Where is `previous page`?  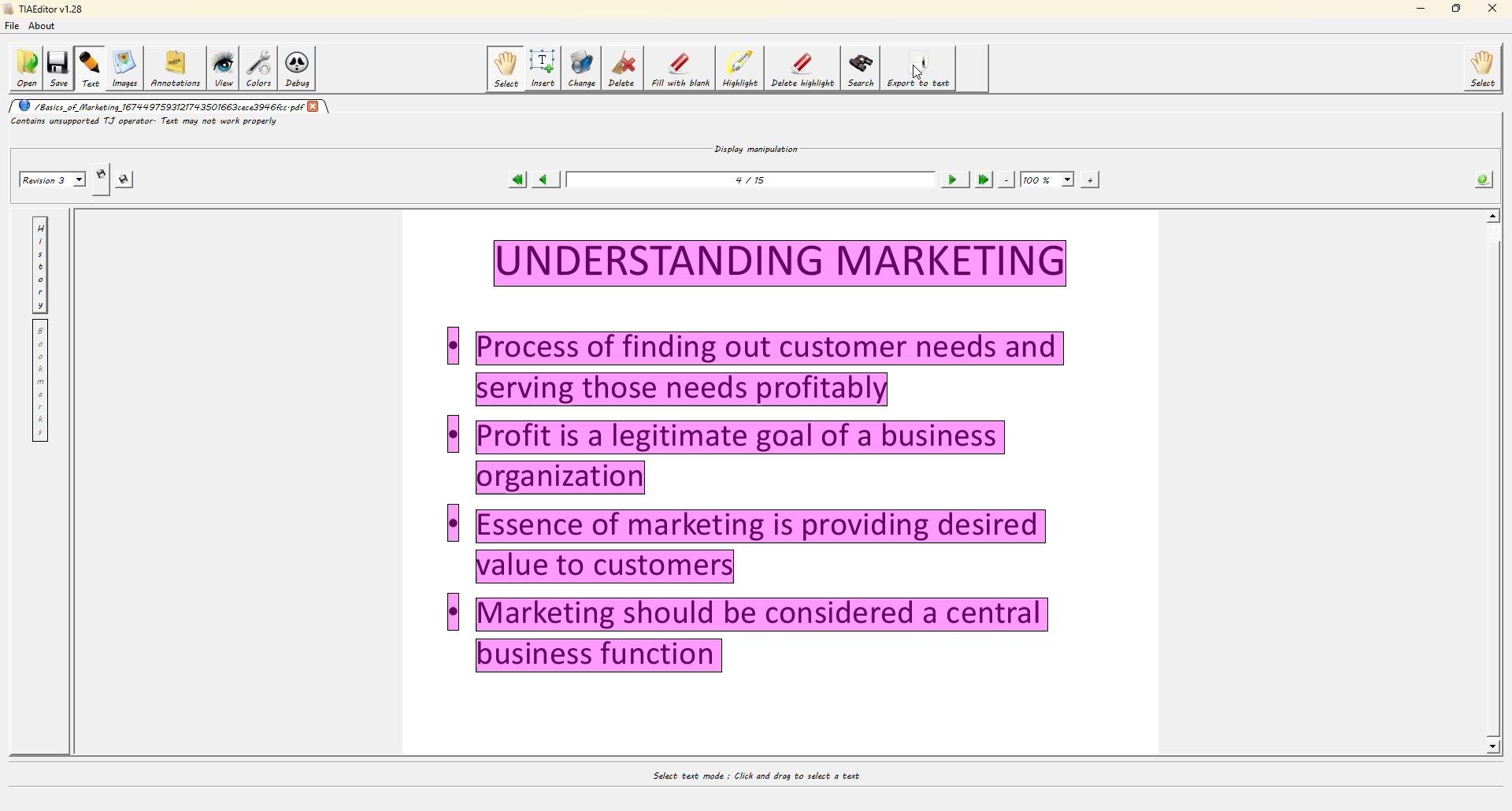 previous page is located at coordinates (544, 180).